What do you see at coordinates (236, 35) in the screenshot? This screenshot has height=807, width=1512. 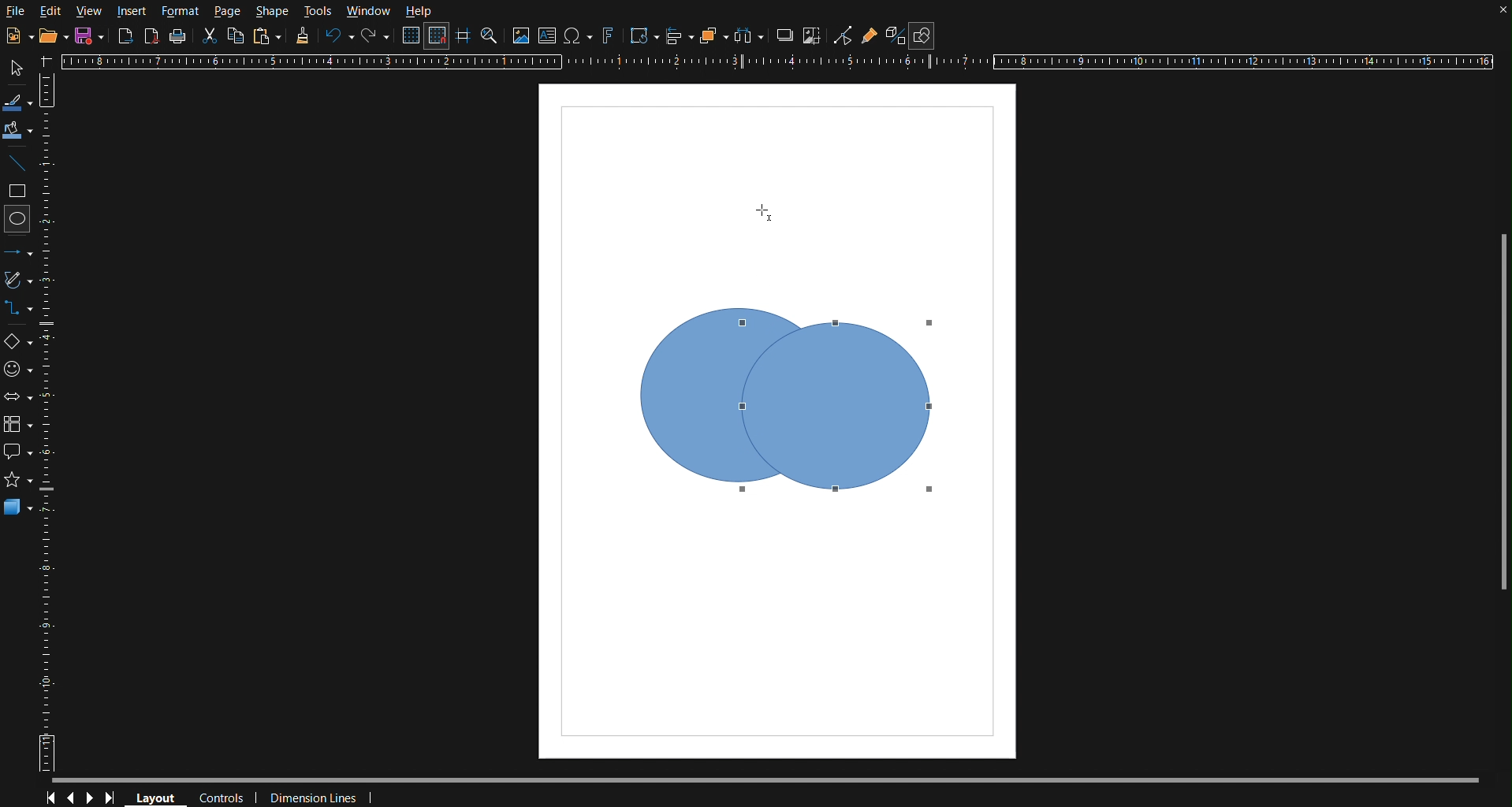 I see `Copy` at bounding box center [236, 35].